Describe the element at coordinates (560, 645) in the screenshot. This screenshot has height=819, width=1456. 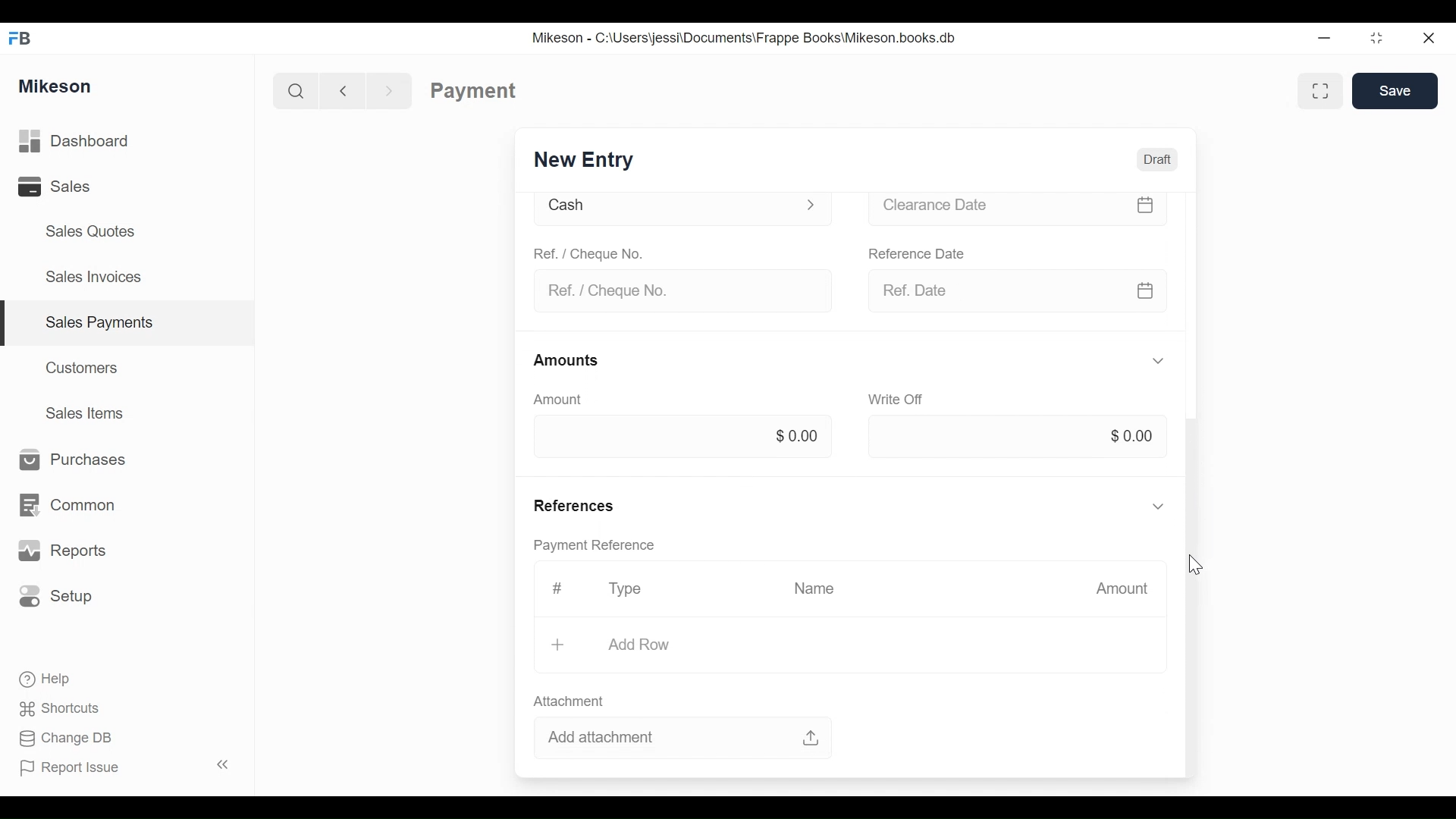
I see `Add` at that location.